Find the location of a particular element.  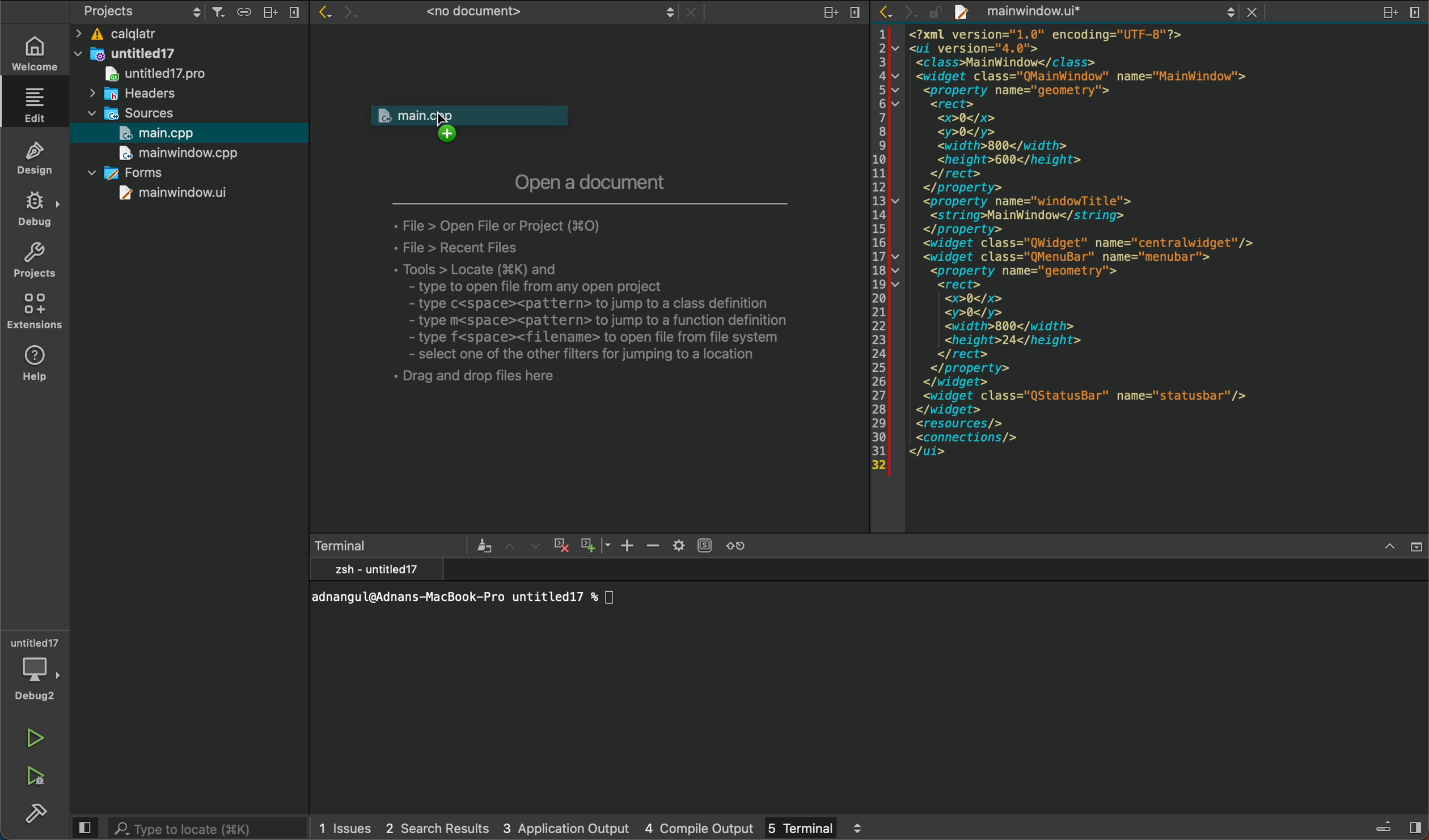

maximize is located at coordinates (1389, 548).